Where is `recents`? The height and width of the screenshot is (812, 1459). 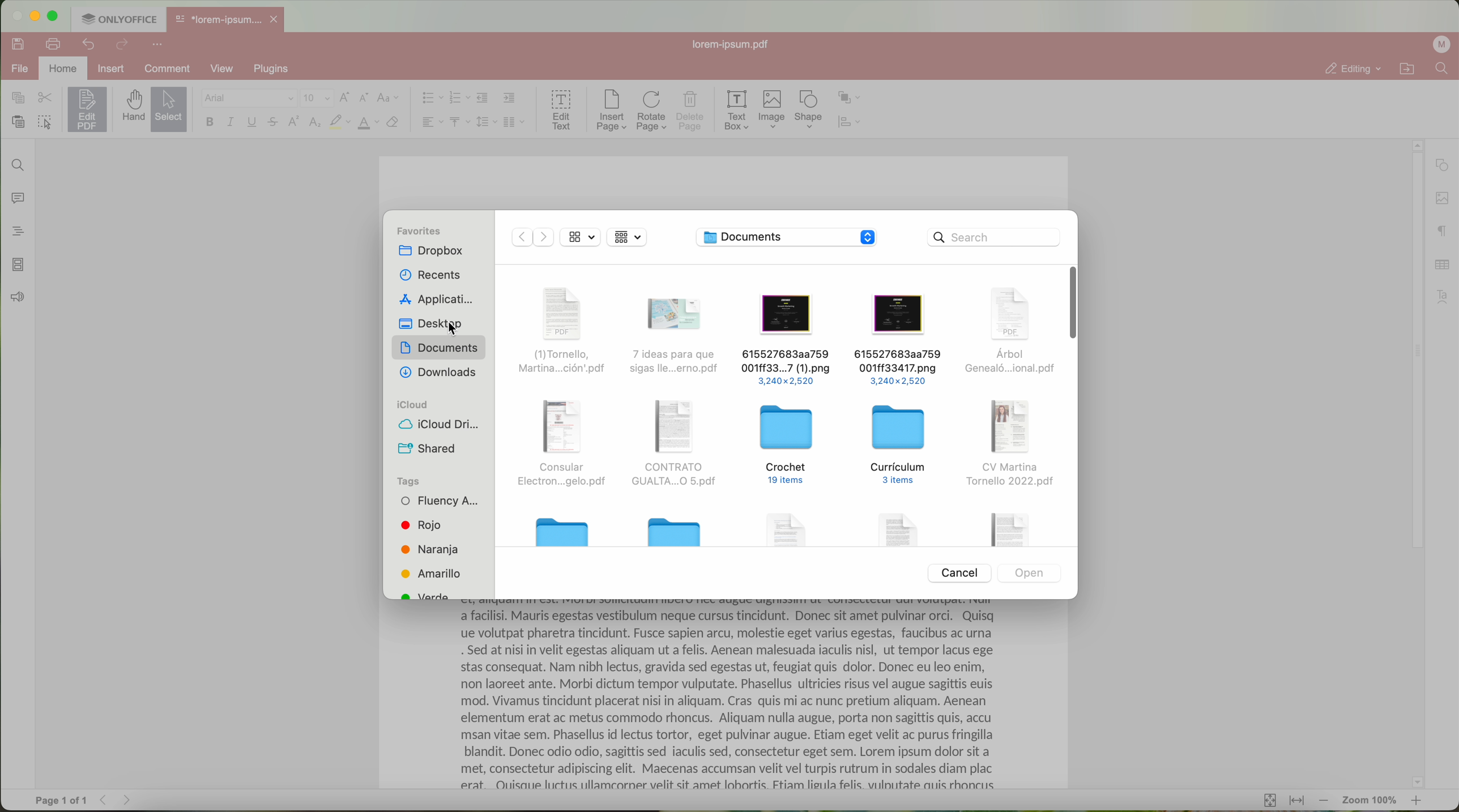
recents is located at coordinates (429, 275).